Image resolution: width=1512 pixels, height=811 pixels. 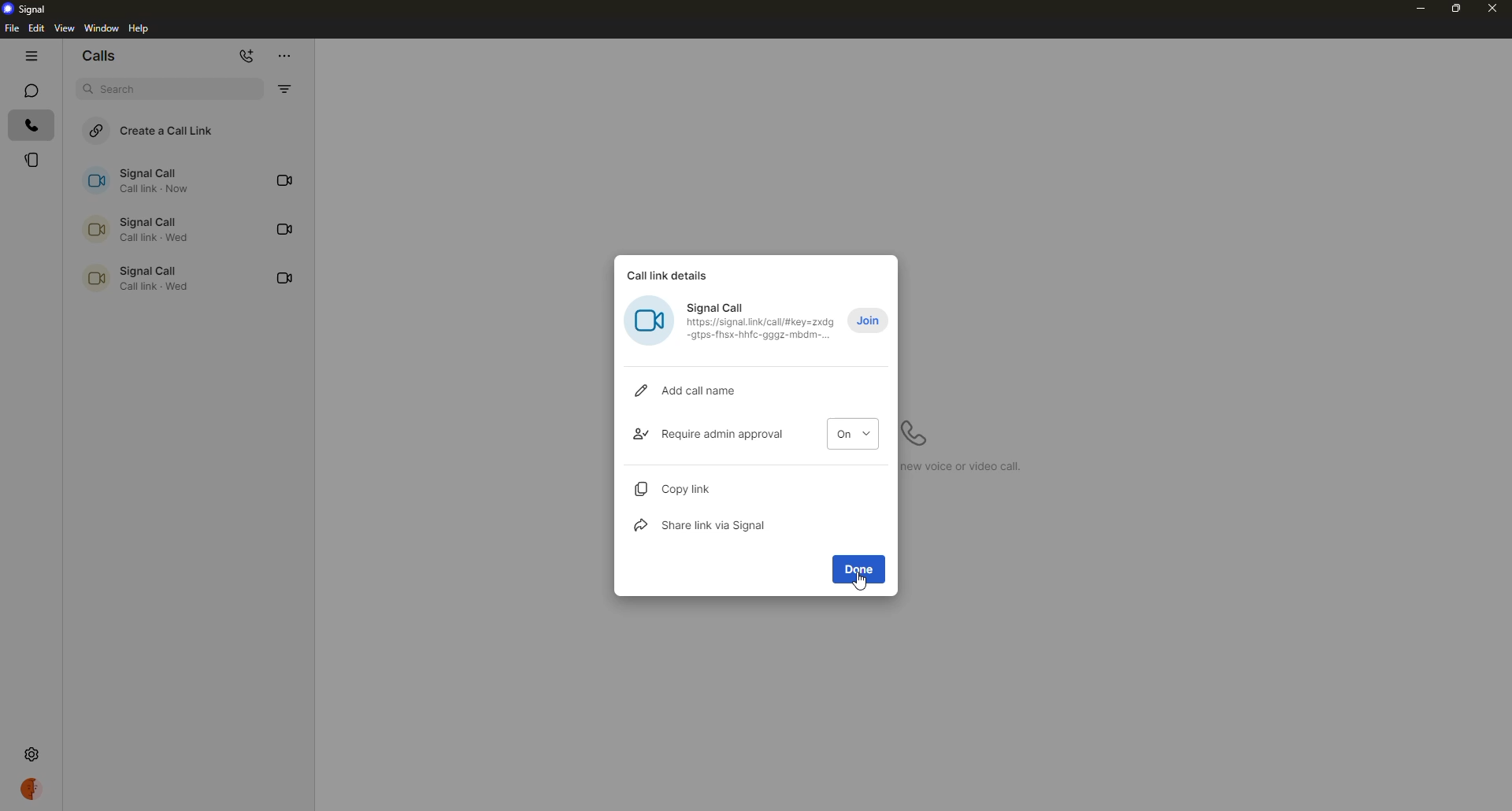 What do you see at coordinates (37, 28) in the screenshot?
I see `edit` at bounding box center [37, 28].